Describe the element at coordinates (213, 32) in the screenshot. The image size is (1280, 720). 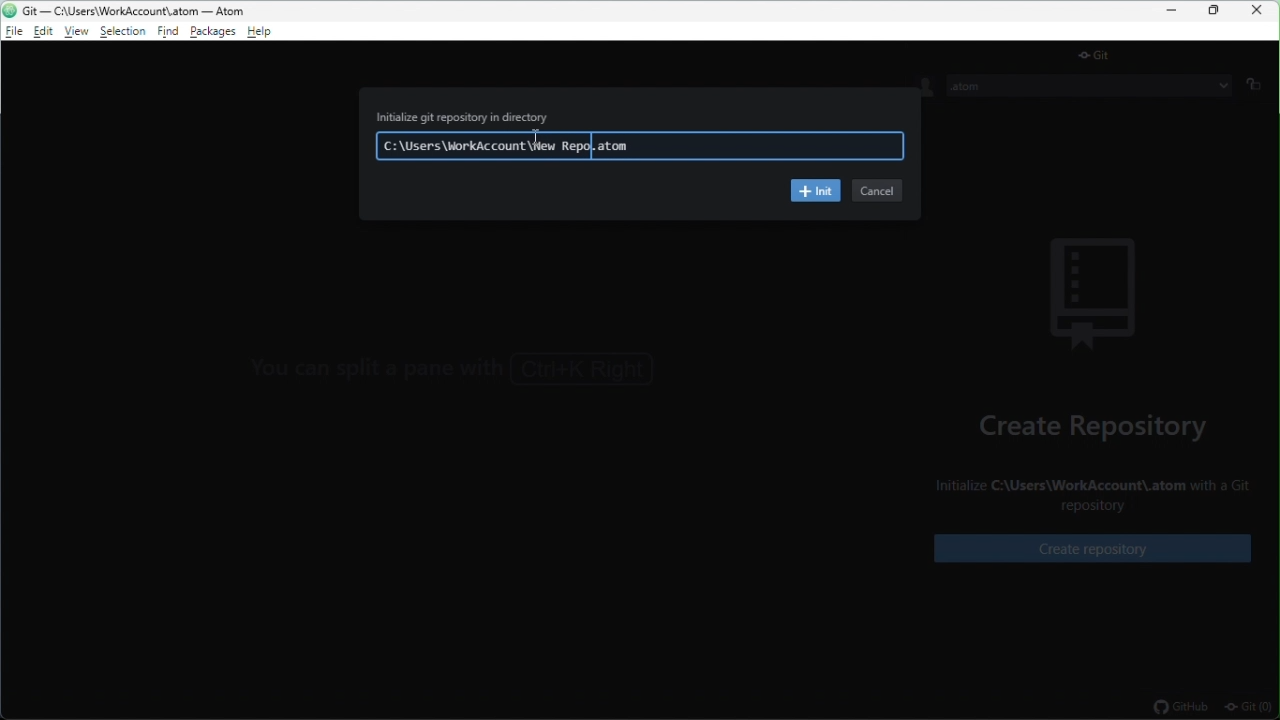
I see `package` at that location.